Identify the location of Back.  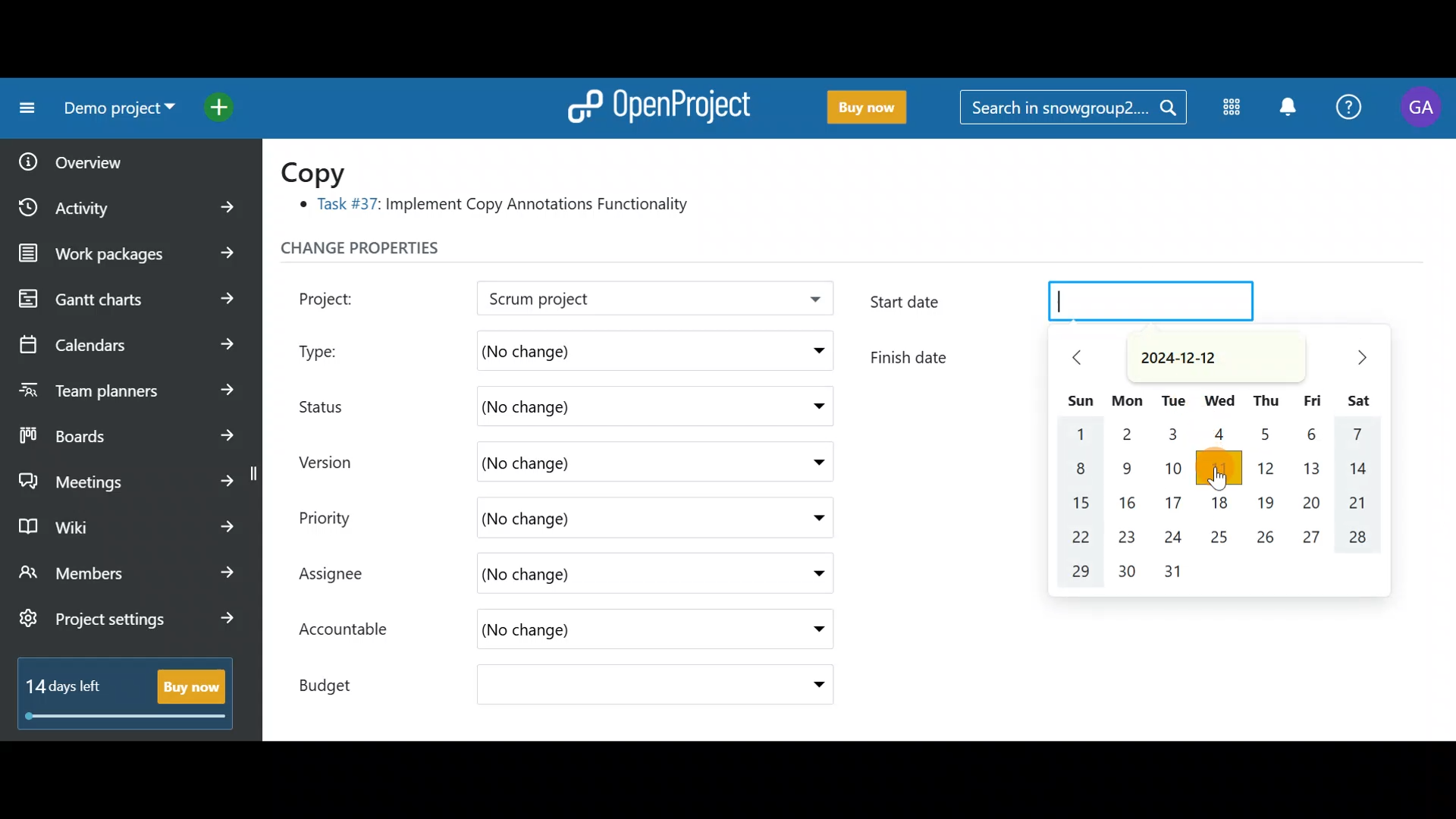
(1086, 359).